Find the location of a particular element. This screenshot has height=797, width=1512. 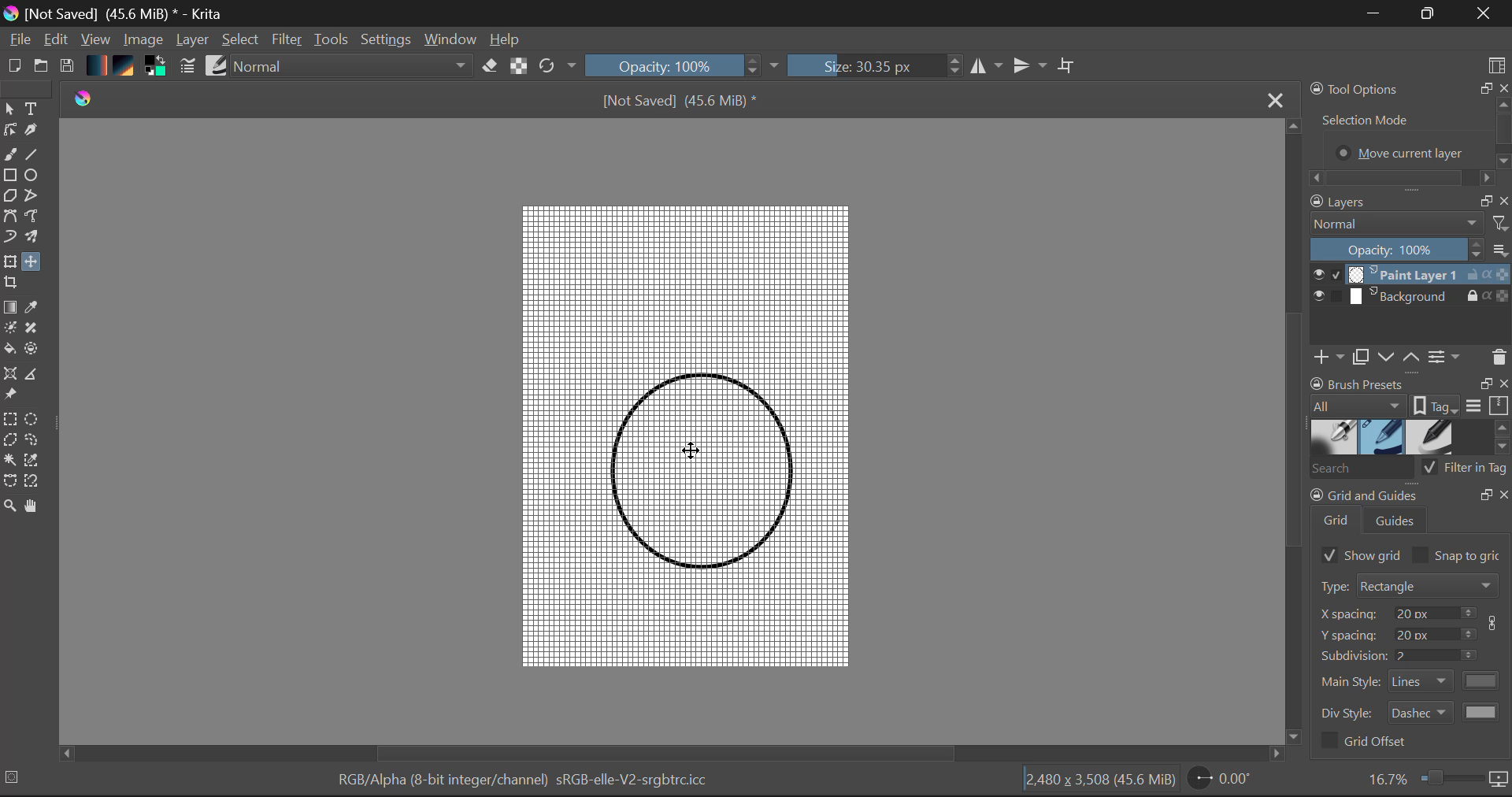

Layer is located at coordinates (194, 41).